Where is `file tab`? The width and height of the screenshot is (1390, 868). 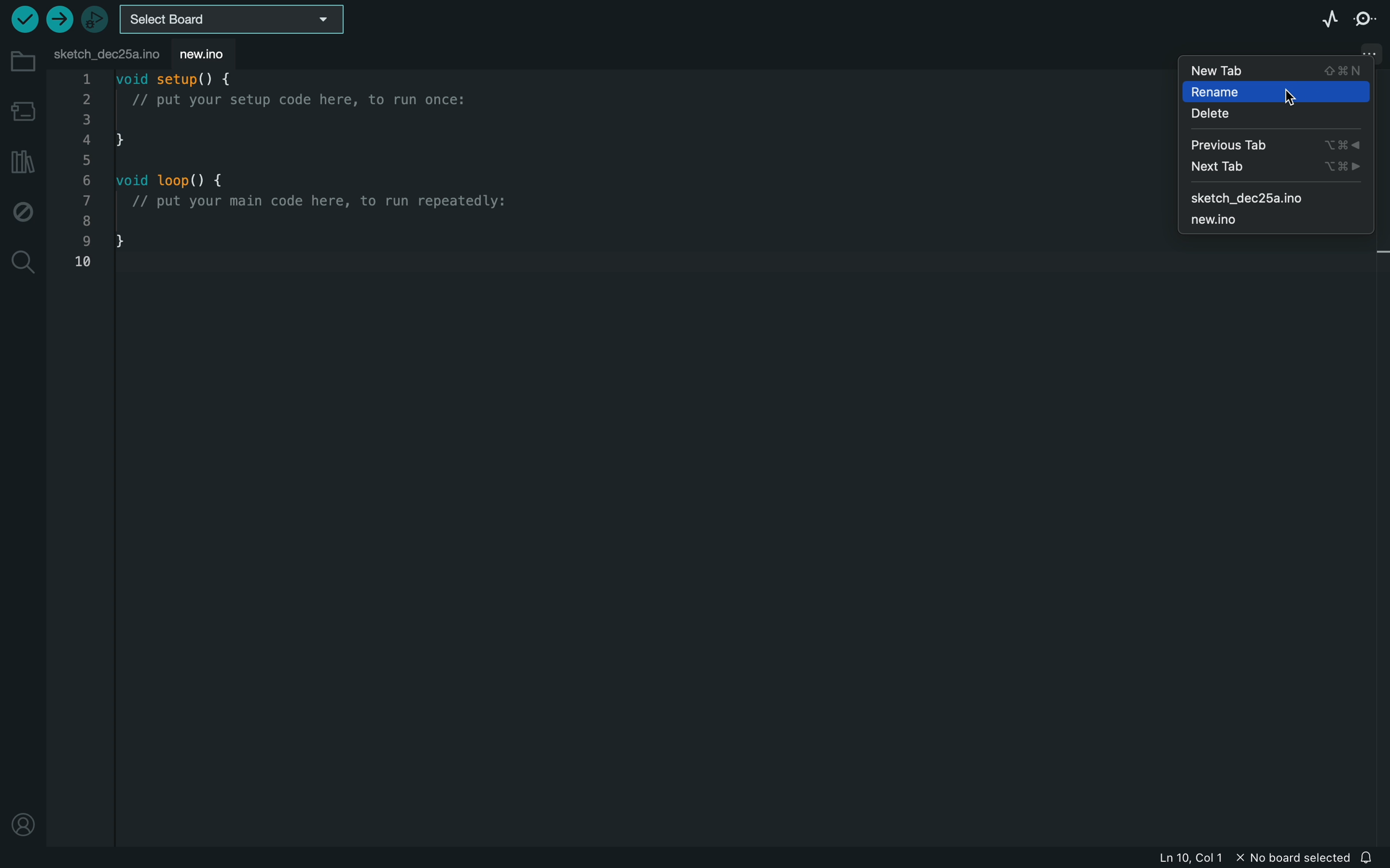
file tab is located at coordinates (106, 52).